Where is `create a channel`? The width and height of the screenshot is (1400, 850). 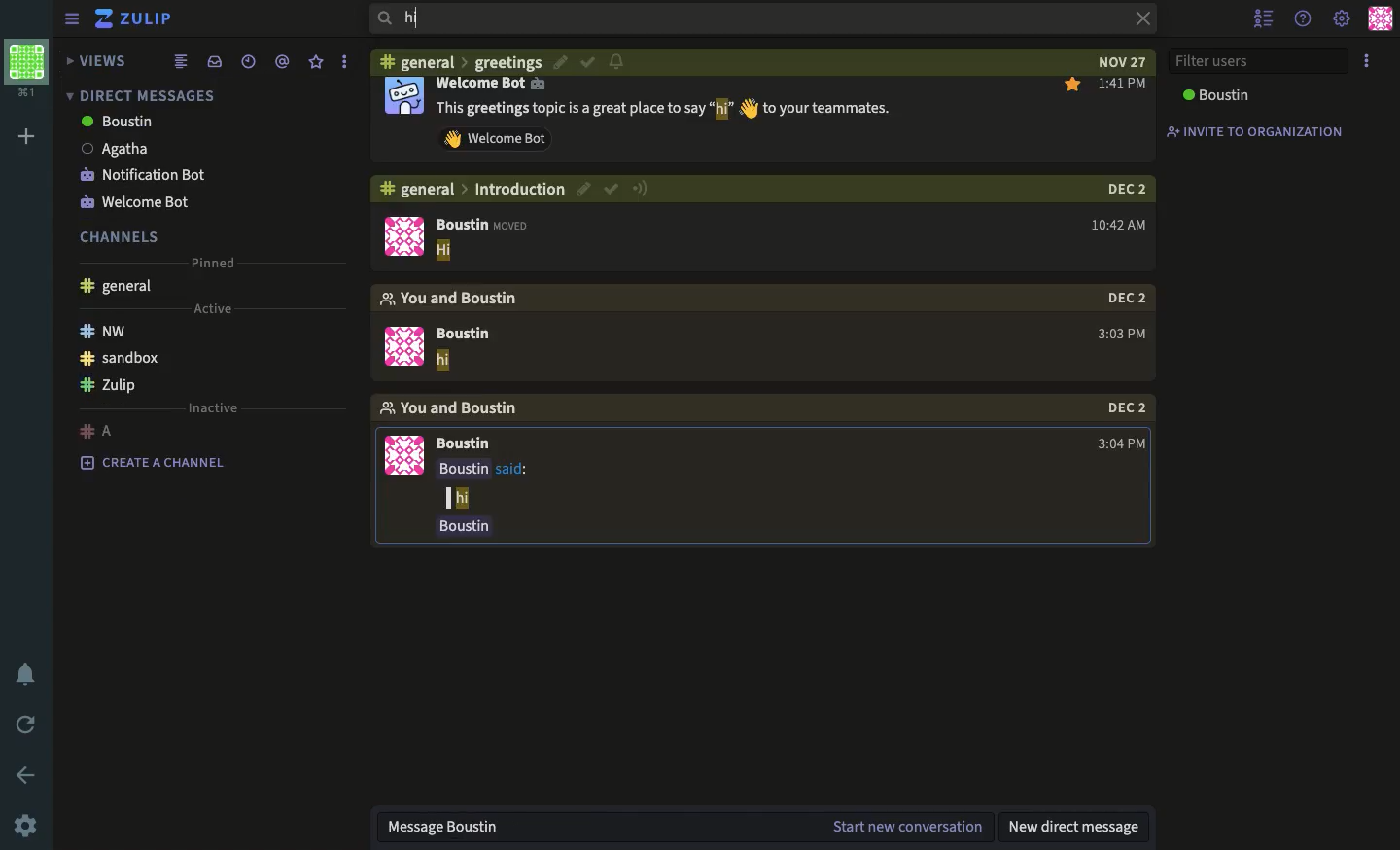
create a channel is located at coordinates (153, 462).